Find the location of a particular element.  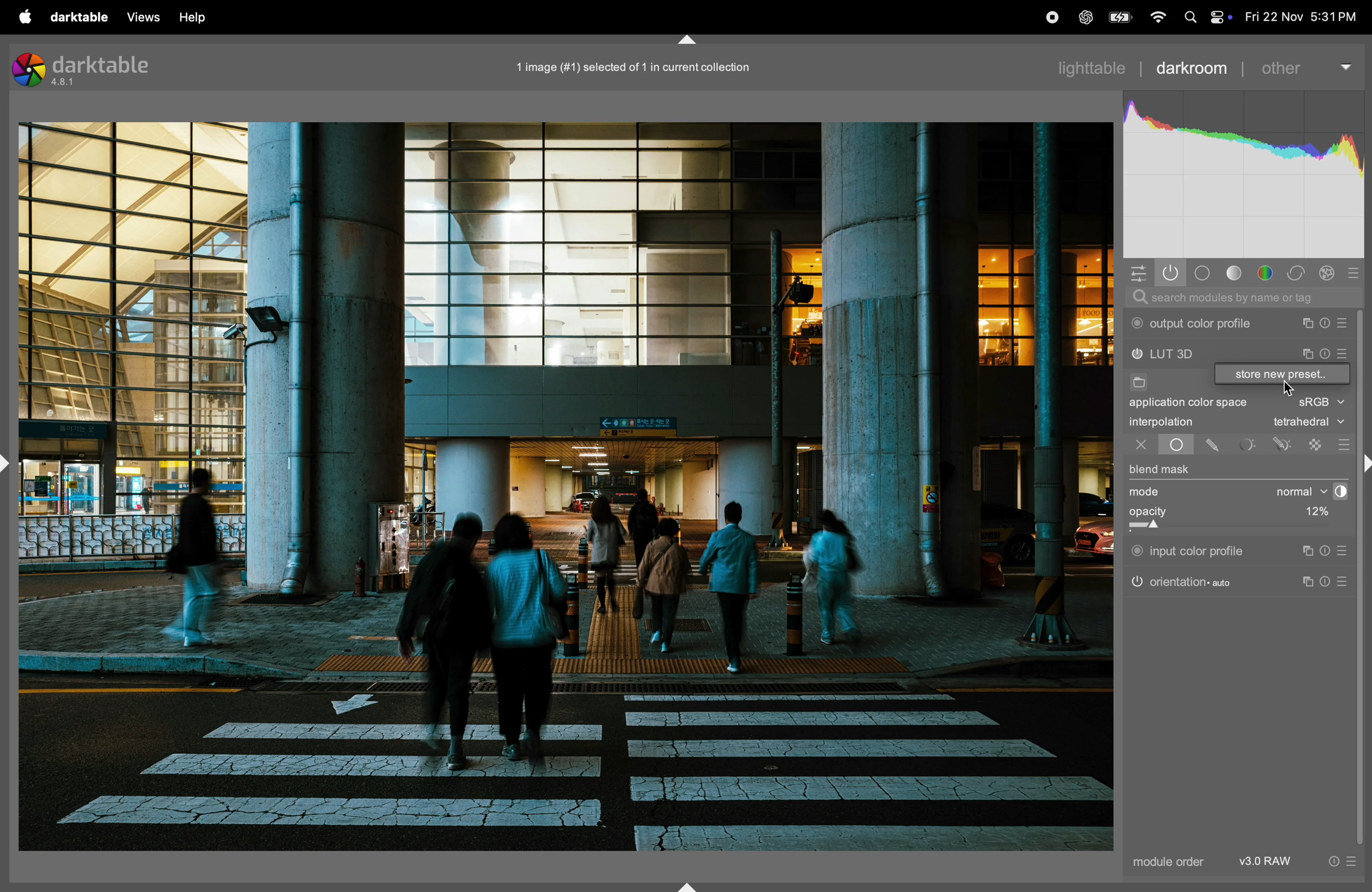

tetrahedral is located at coordinates (1309, 423).